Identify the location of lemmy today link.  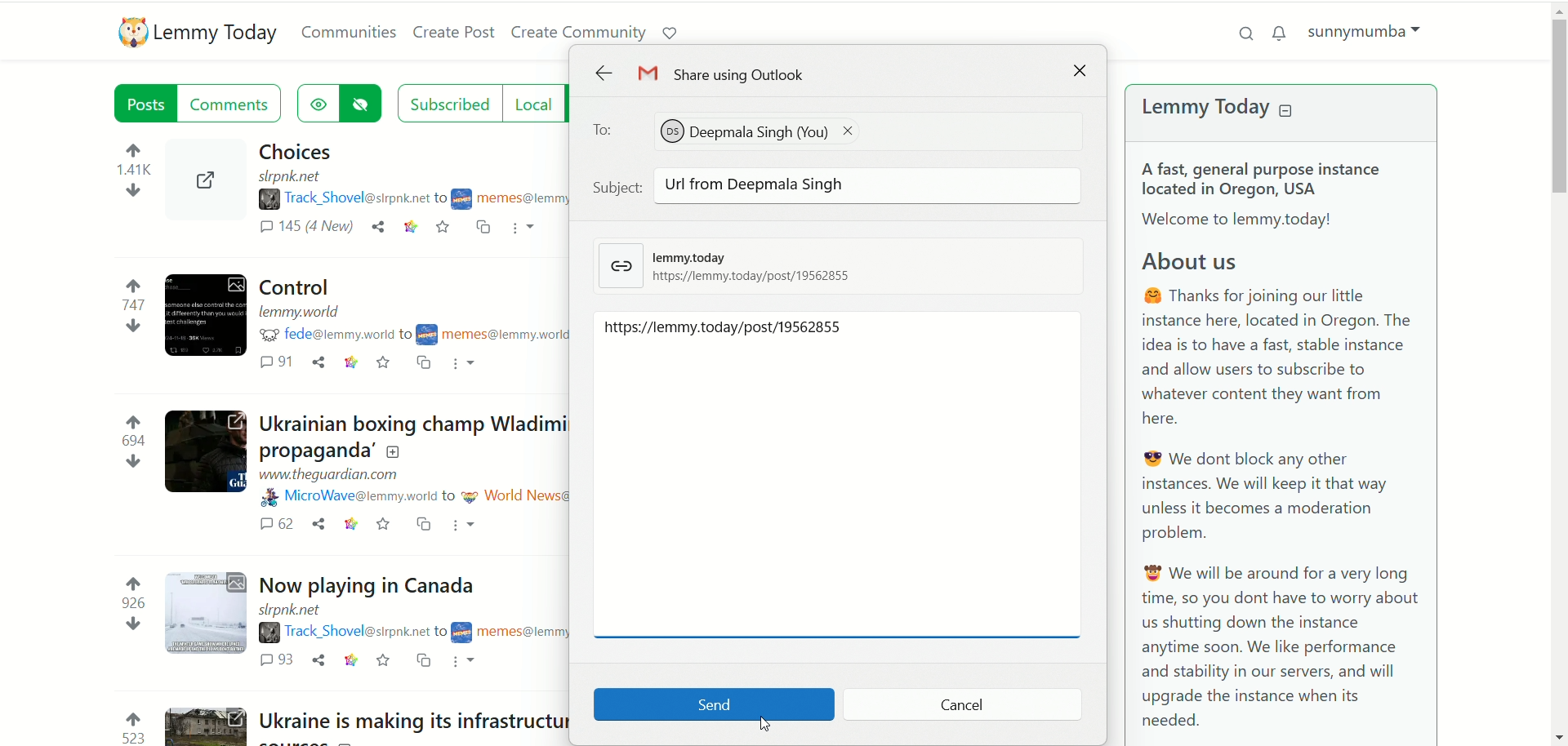
(840, 271).